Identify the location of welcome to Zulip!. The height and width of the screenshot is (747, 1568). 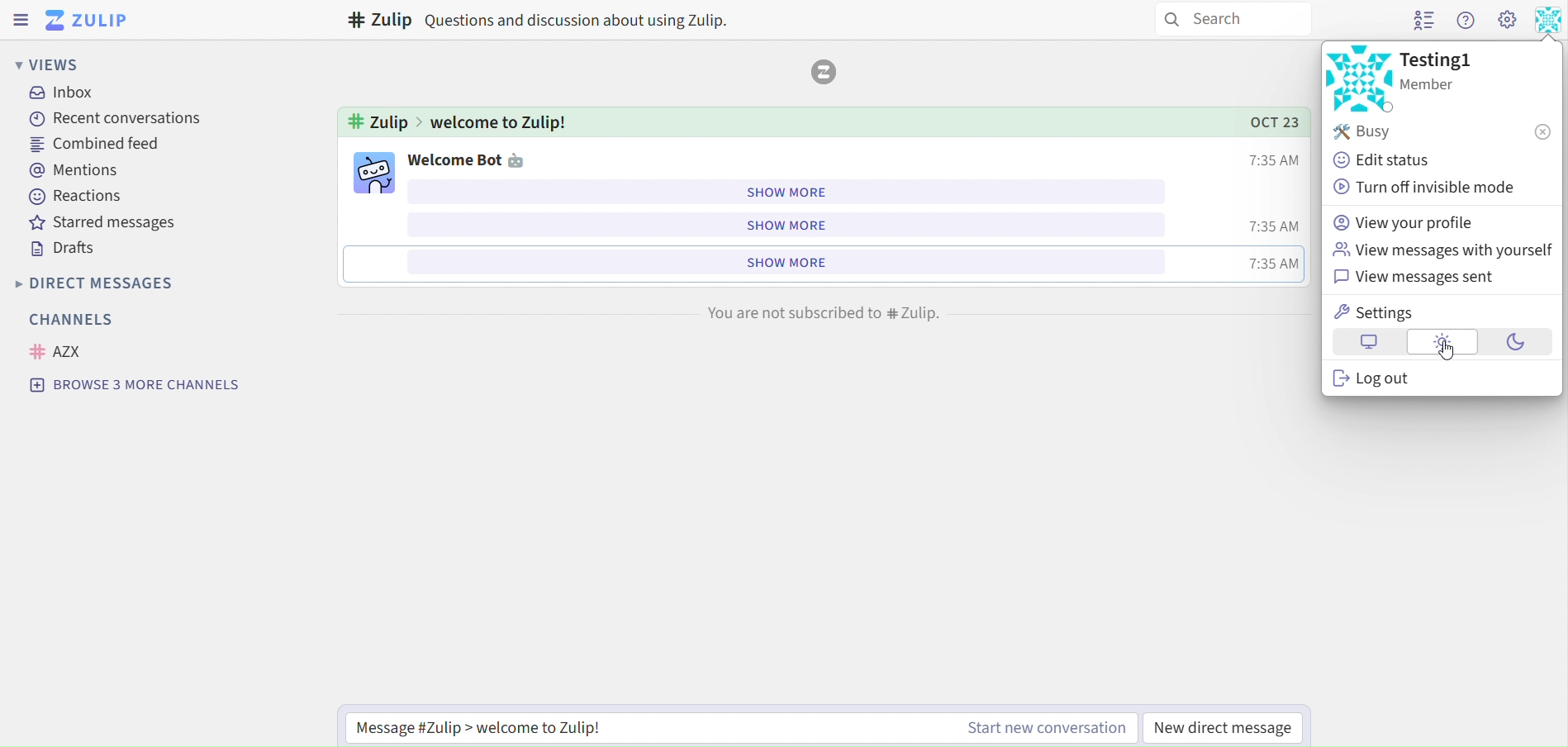
(504, 123).